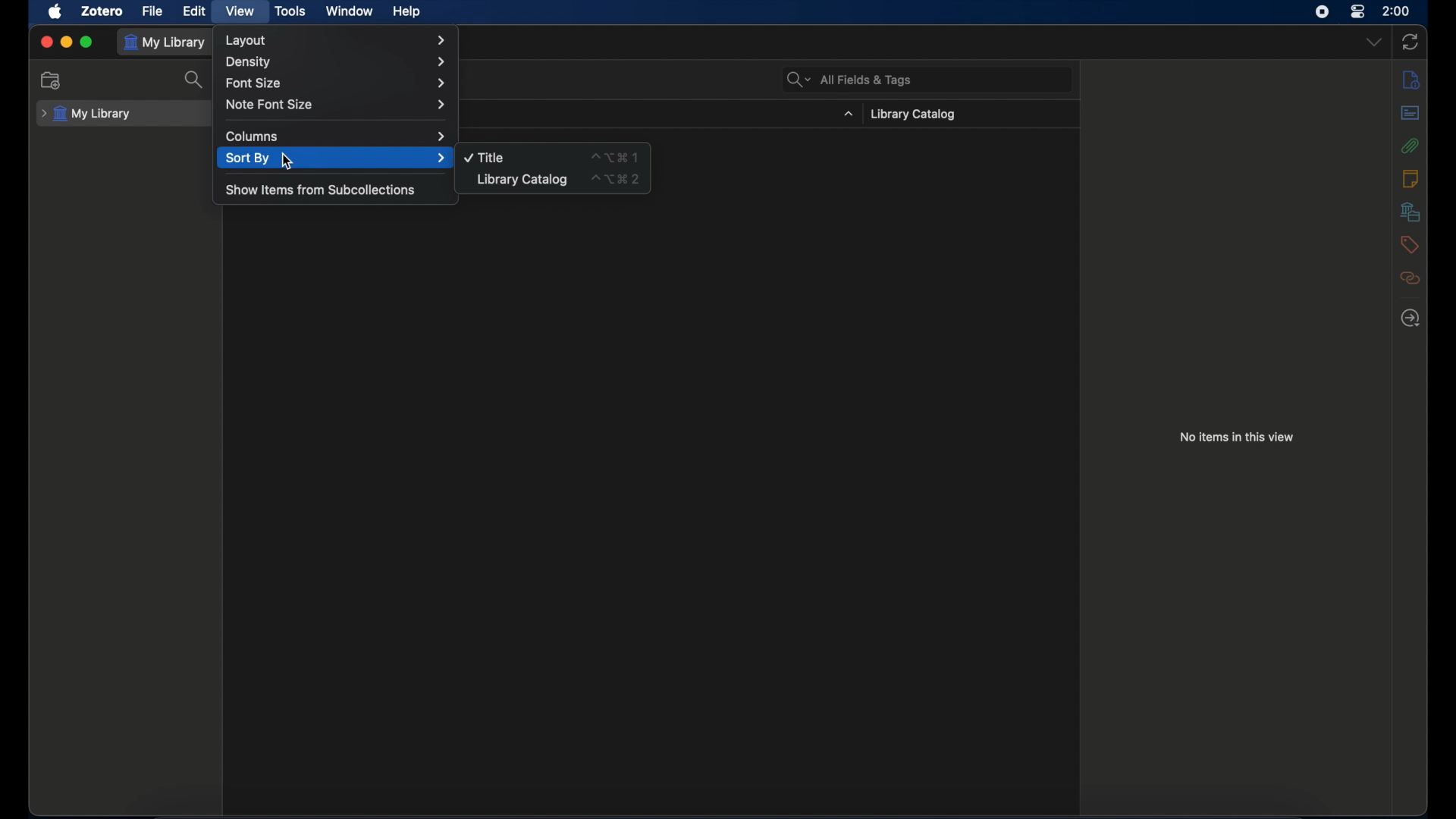 The width and height of the screenshot is (1456, 819). Describe the element at coordinates (337, 83) in the screenshot. I see `font size` at that location.